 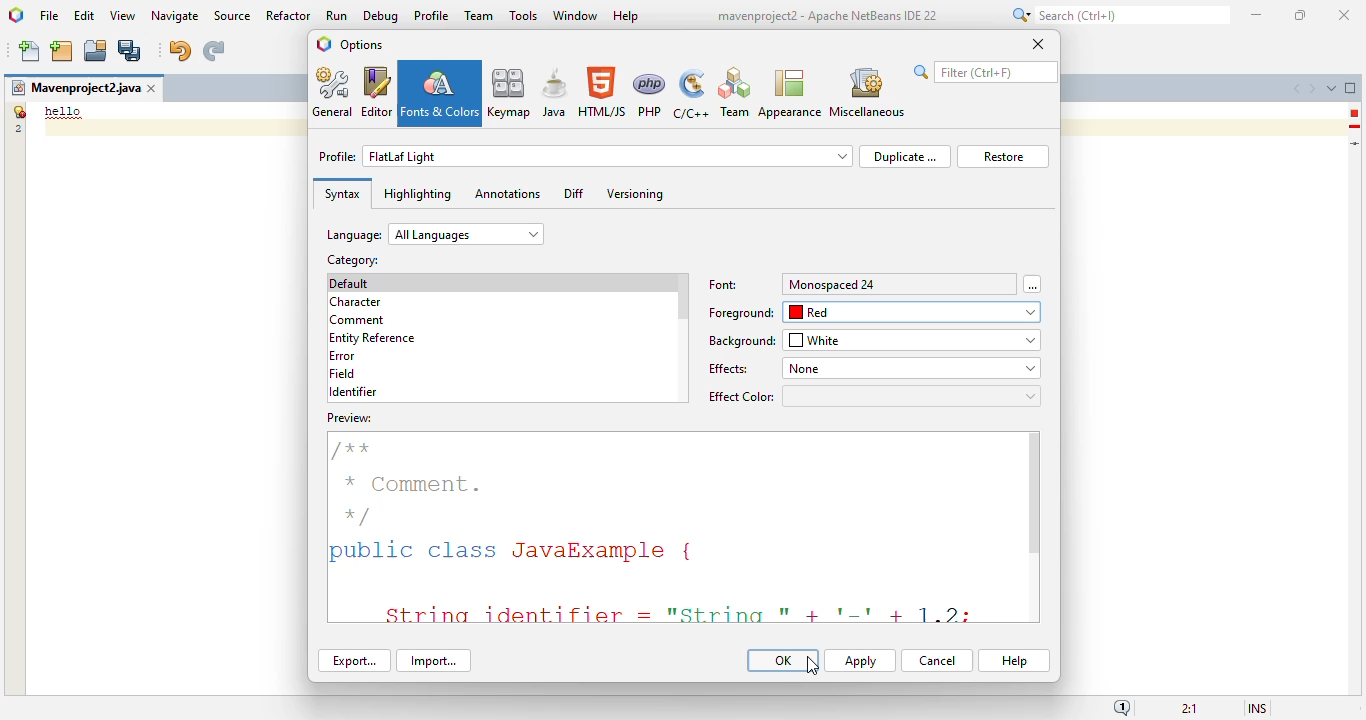 What do you see at coordinates (873, 396) in the screenshot?
I see `effect color: ` at bounding box center [873, 396].